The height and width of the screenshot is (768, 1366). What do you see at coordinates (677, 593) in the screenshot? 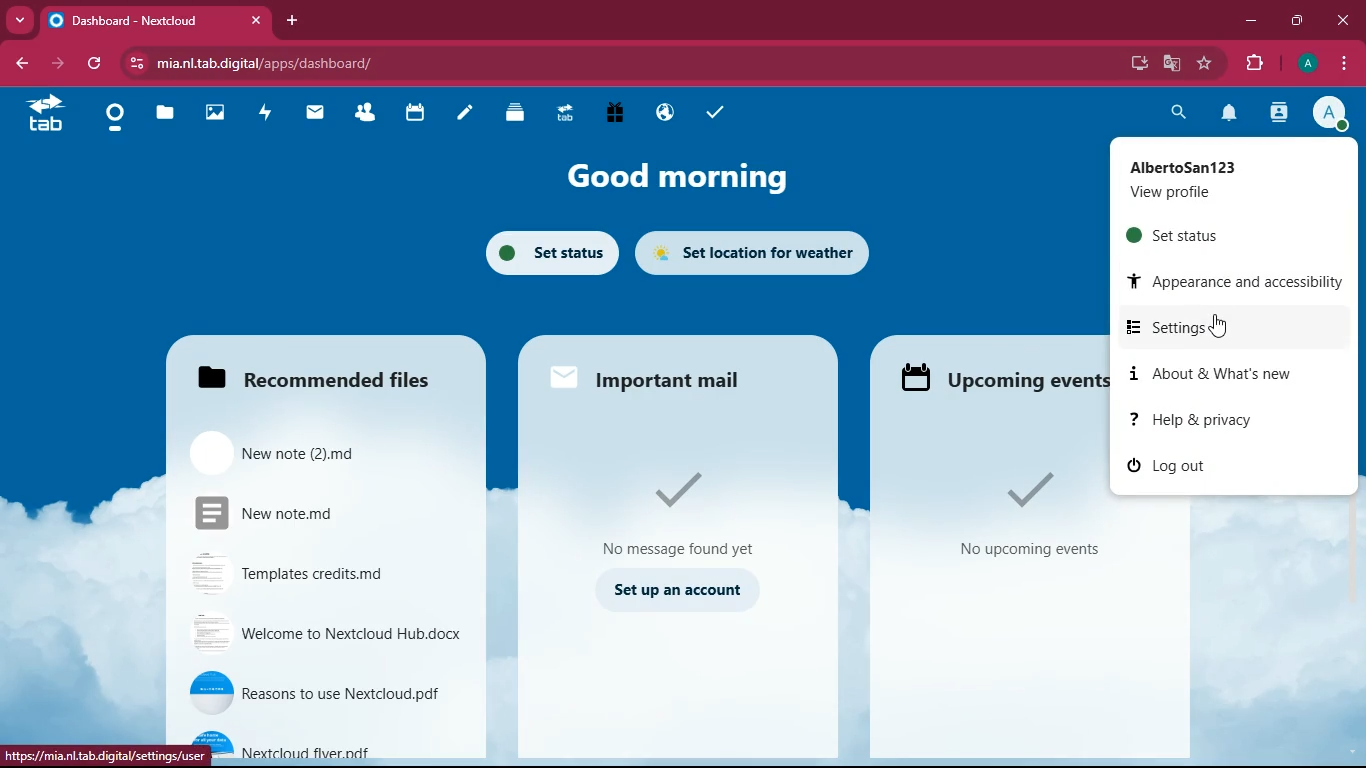
I see `set up an account` at bounding box center [677, 593].